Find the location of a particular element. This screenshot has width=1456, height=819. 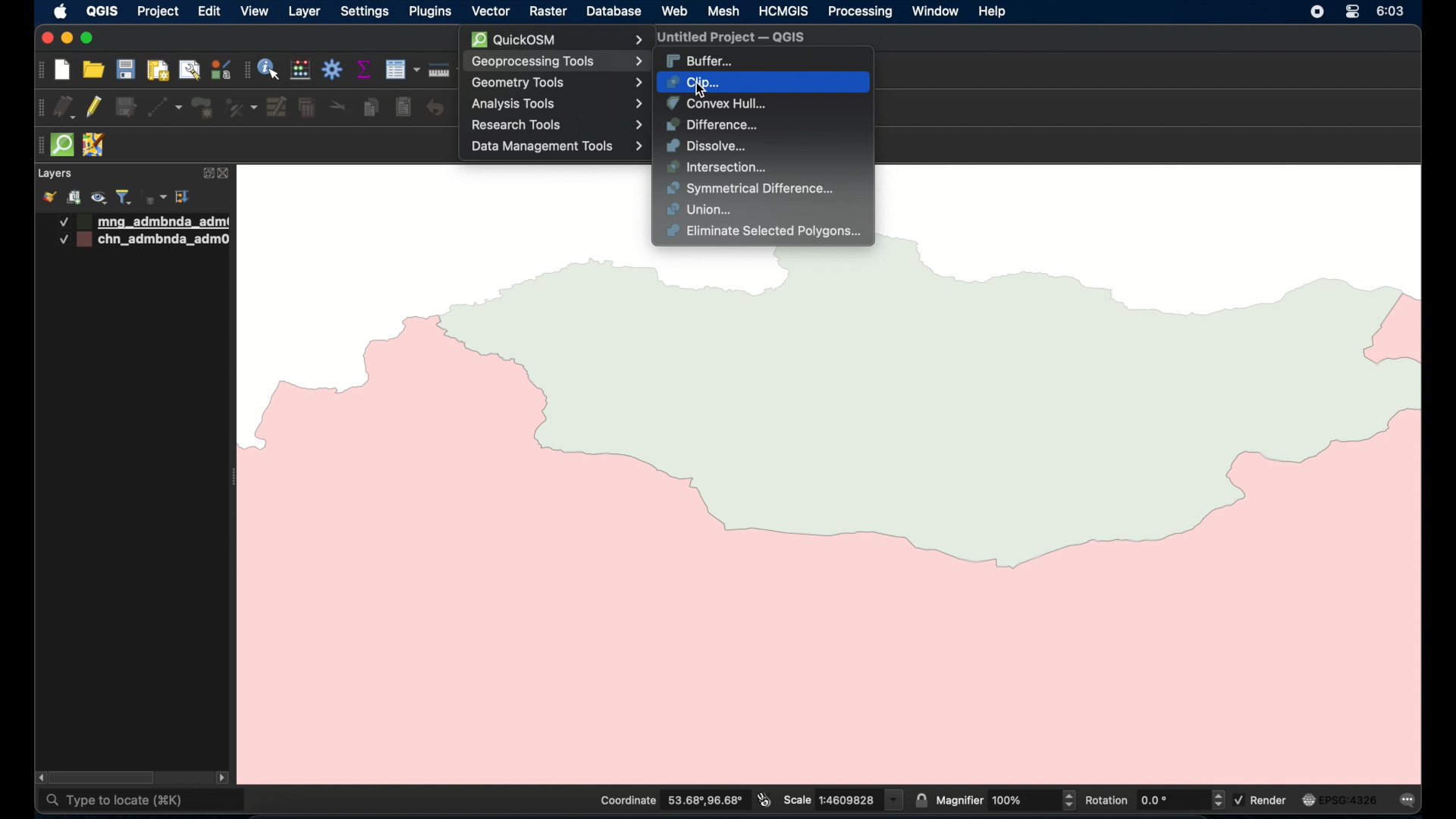

edit is located at coordinates (209, 11).